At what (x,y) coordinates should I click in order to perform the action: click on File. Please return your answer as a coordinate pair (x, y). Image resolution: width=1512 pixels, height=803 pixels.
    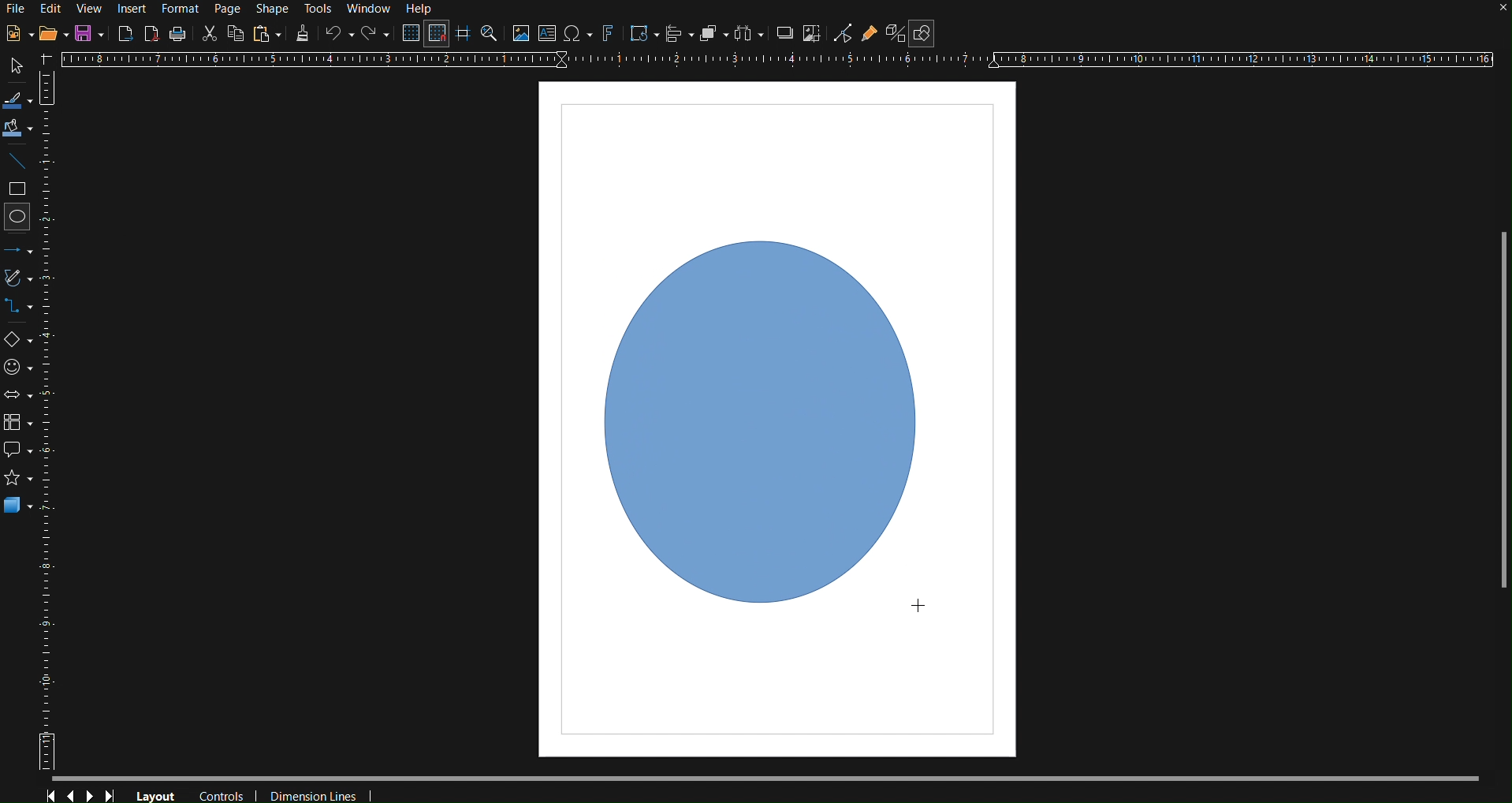
    Looking at the image, I should click on (15, 10).